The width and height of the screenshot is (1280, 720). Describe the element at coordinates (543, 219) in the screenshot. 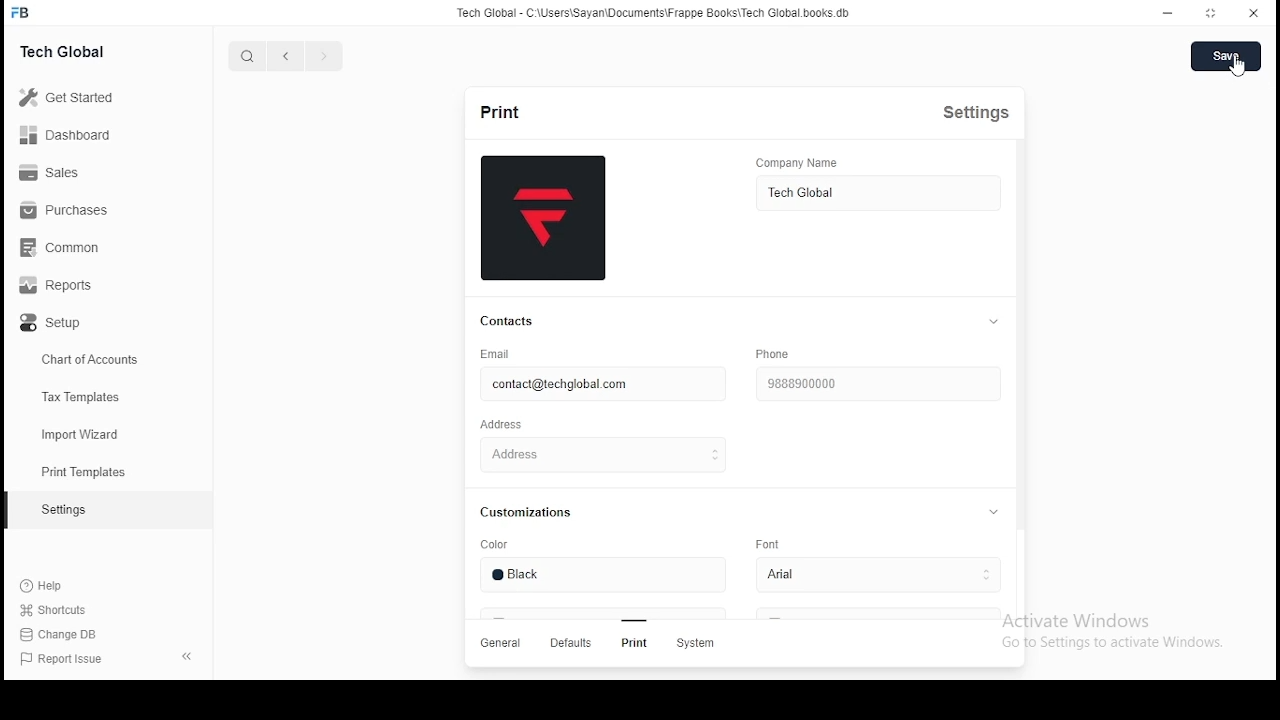

I see `profile preview` at that location.